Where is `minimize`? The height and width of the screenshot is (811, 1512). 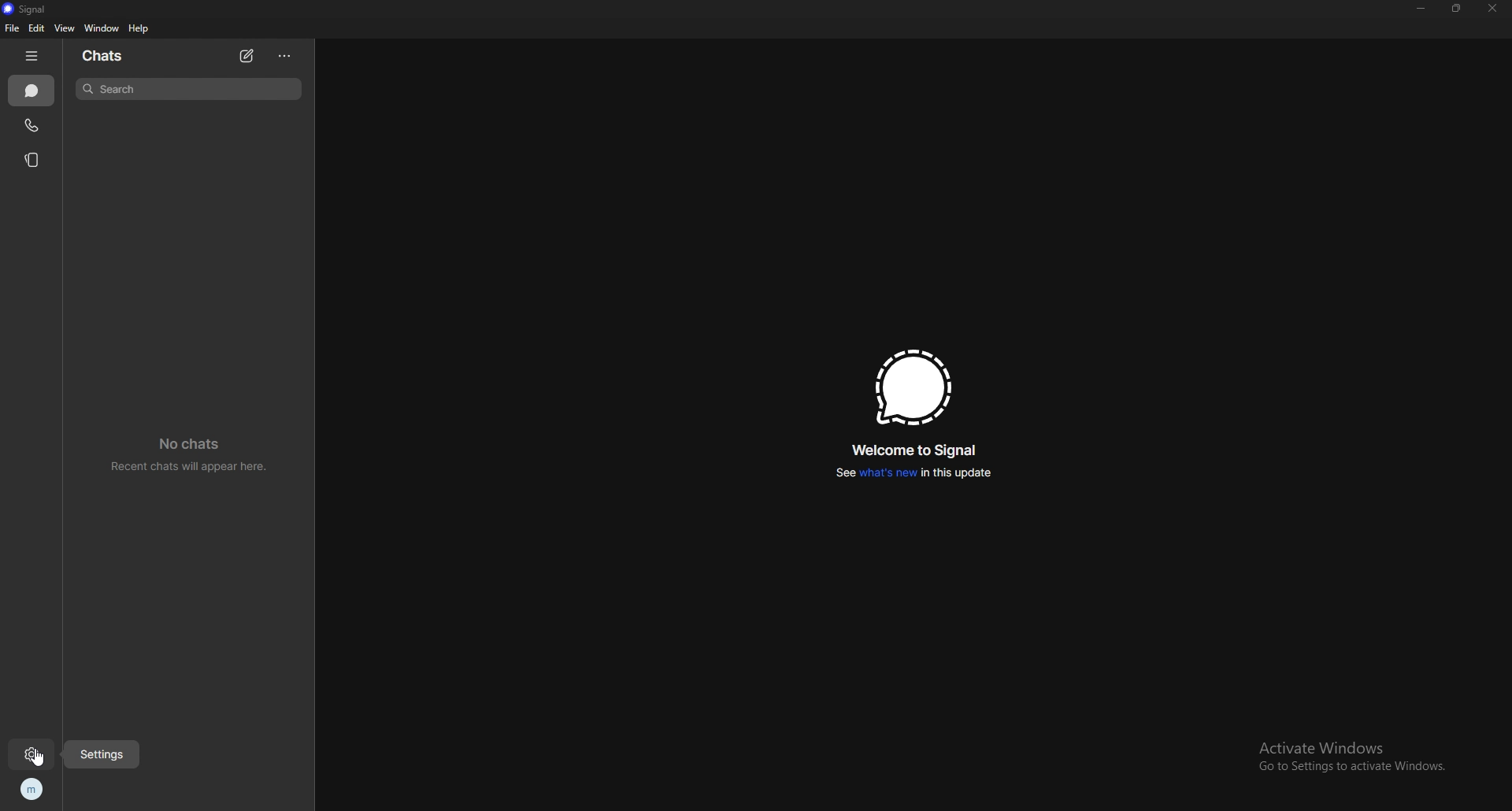
minimize is located at coordinates (1421, 9).